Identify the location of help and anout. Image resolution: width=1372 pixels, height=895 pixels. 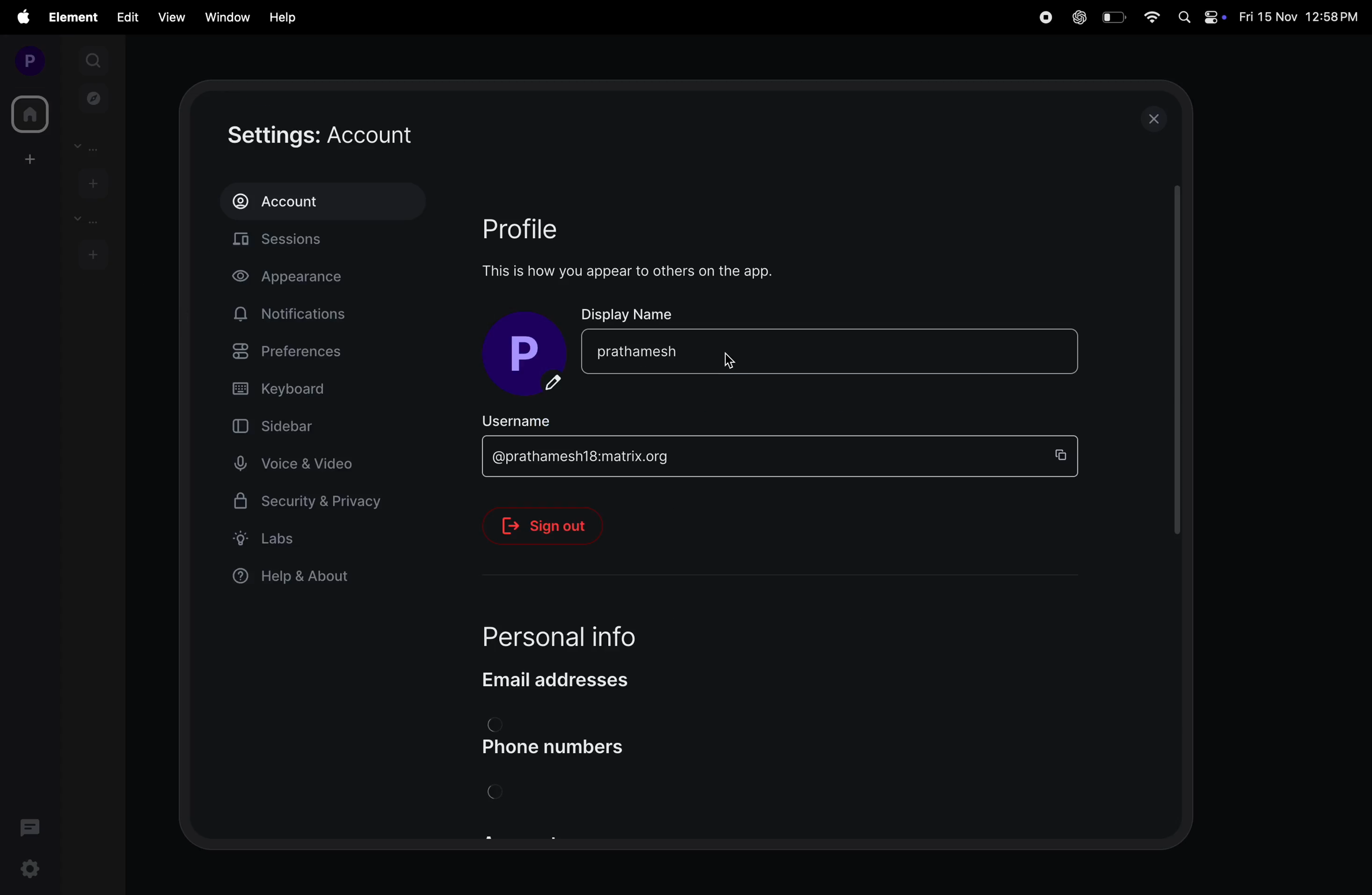
(298, 578).